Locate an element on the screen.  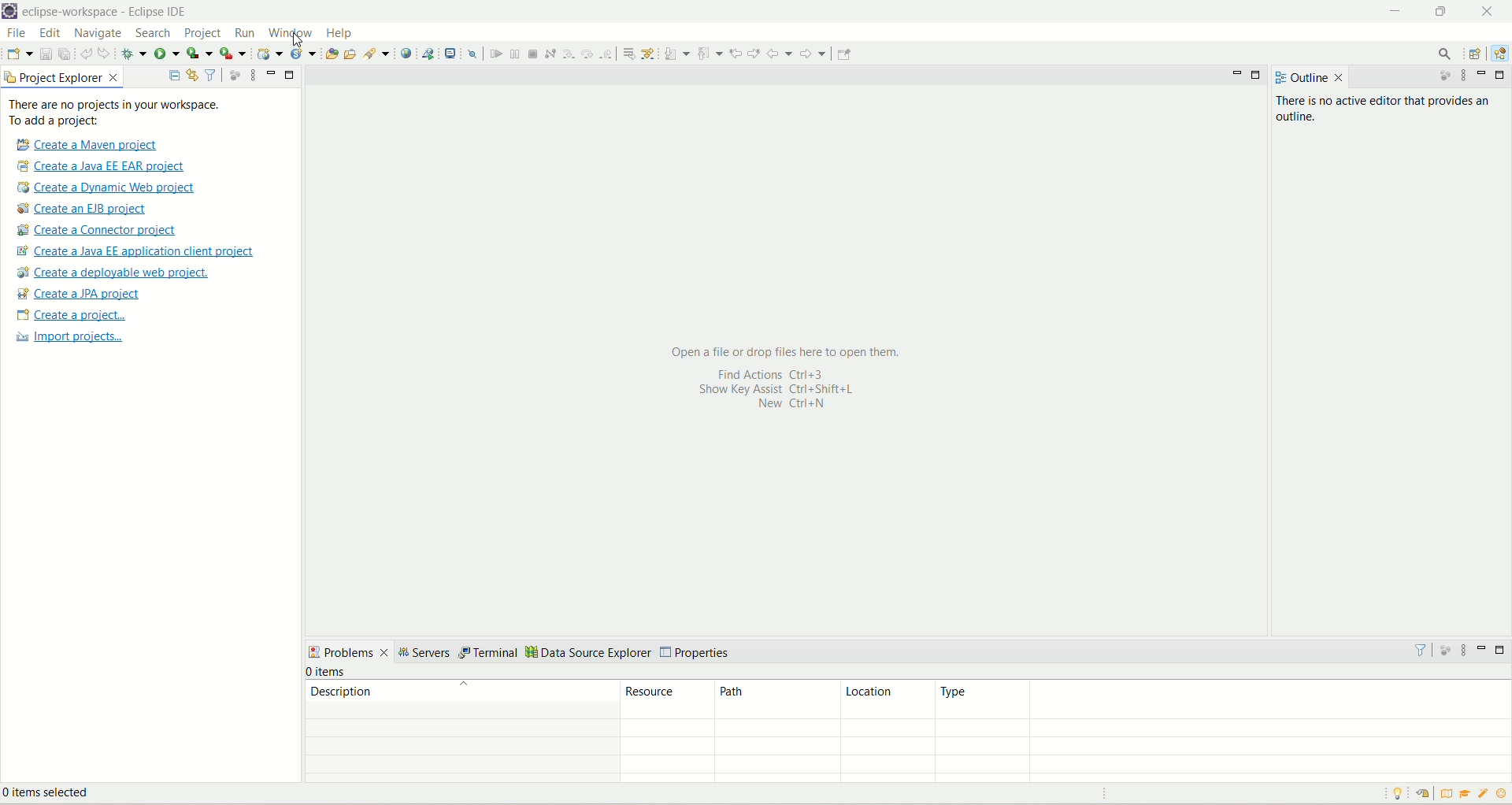
redo is located at coordinates (106, 53).